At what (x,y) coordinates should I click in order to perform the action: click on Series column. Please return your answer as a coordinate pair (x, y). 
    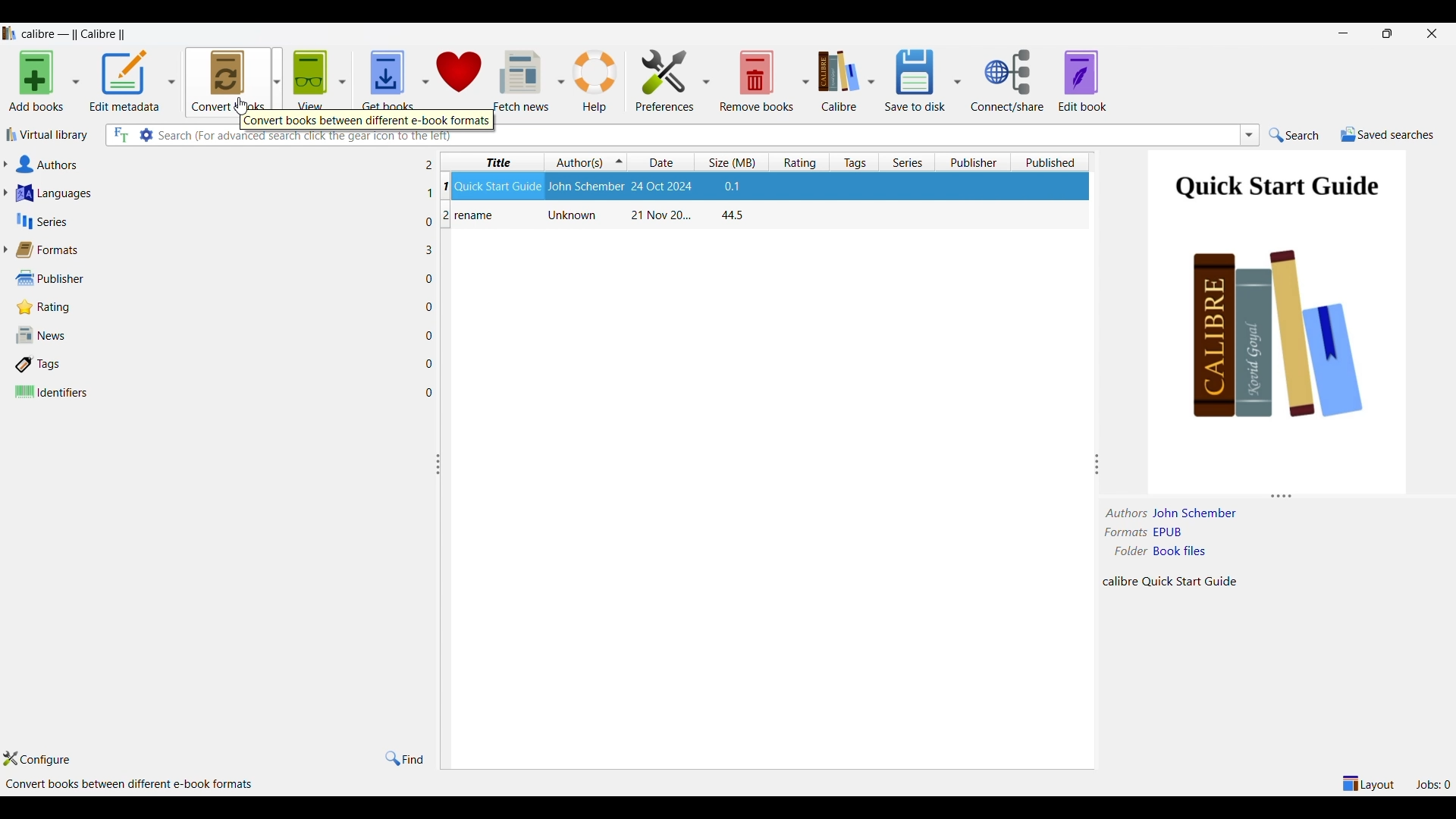
    Looking at the image, I should click on (906, 162).